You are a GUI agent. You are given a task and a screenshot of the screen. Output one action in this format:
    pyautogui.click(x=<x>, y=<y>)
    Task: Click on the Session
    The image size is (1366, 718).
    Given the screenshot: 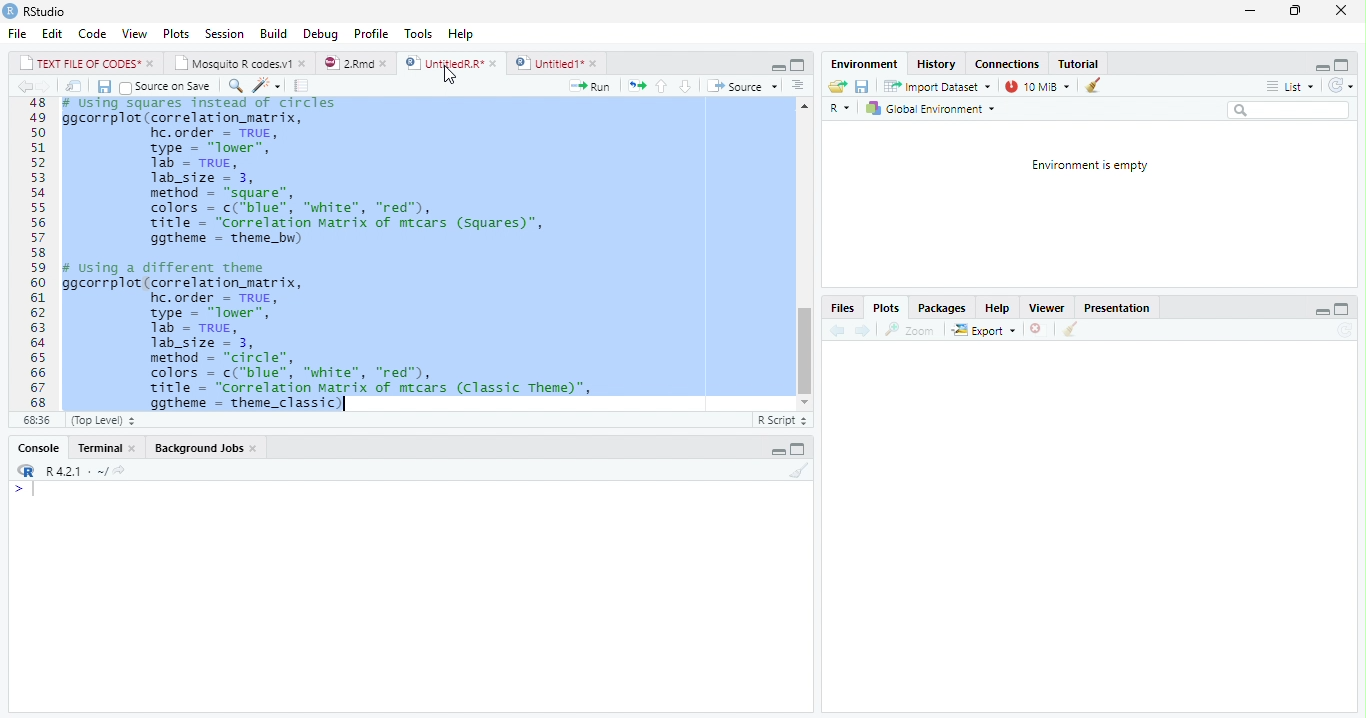 What is the action you would take?
    pyautogui.click(x=226, y=36)
    